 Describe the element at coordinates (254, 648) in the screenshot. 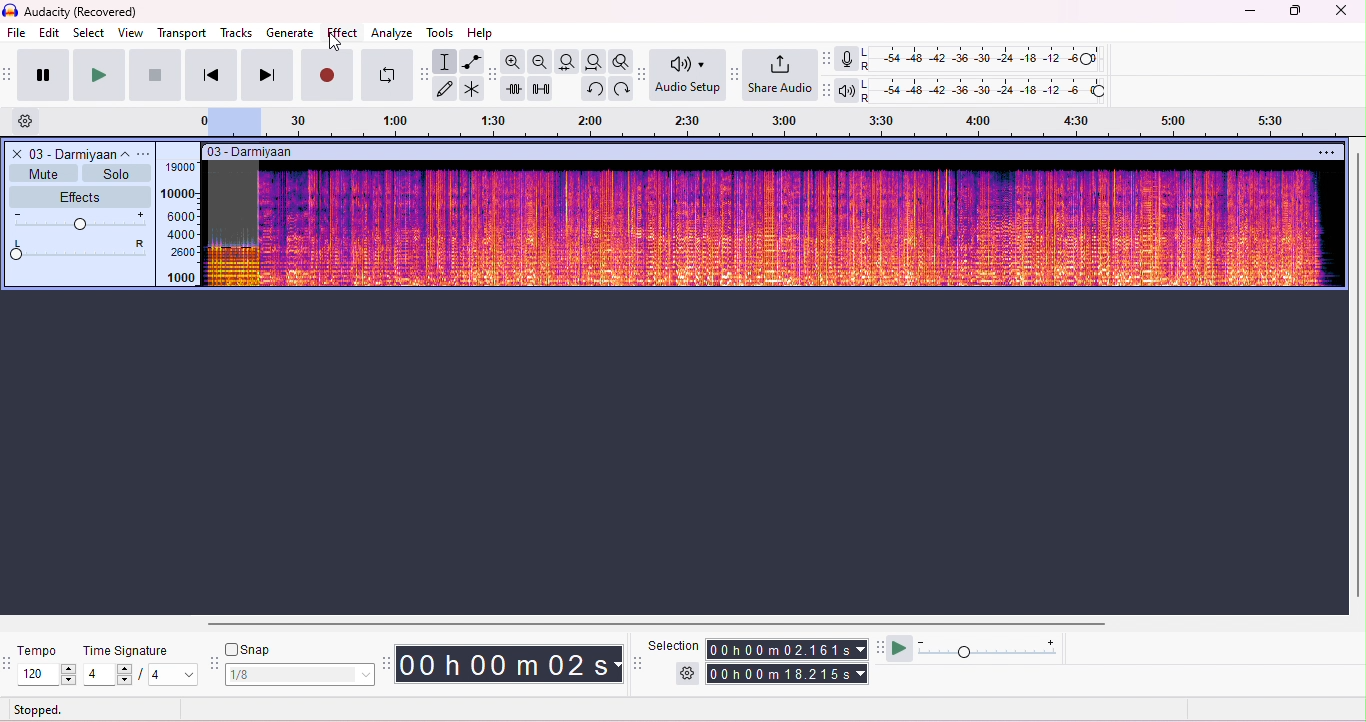

I see `snap` at that location.